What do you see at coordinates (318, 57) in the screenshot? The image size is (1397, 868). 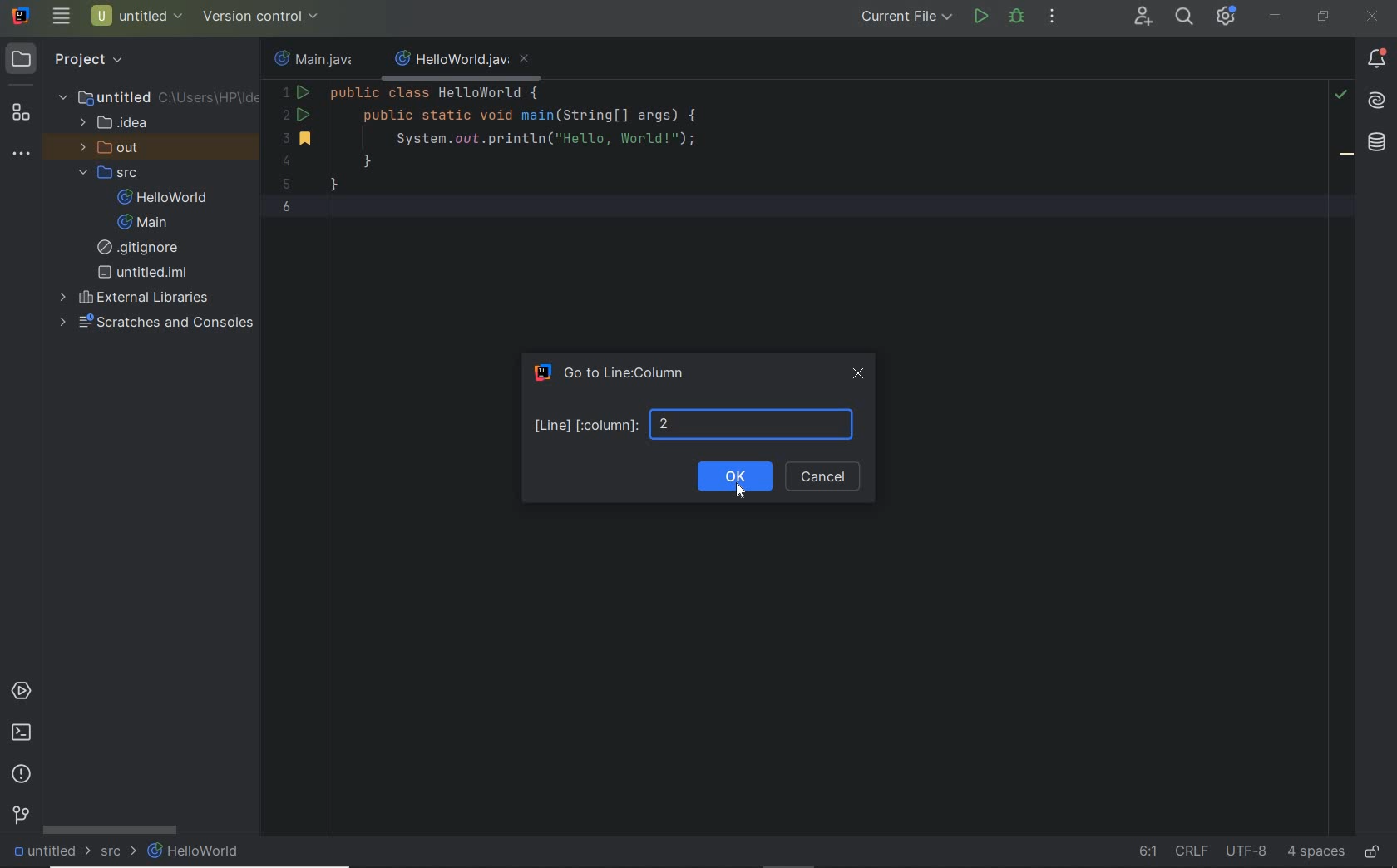 I see `file name` at bounding box center [318, 57].